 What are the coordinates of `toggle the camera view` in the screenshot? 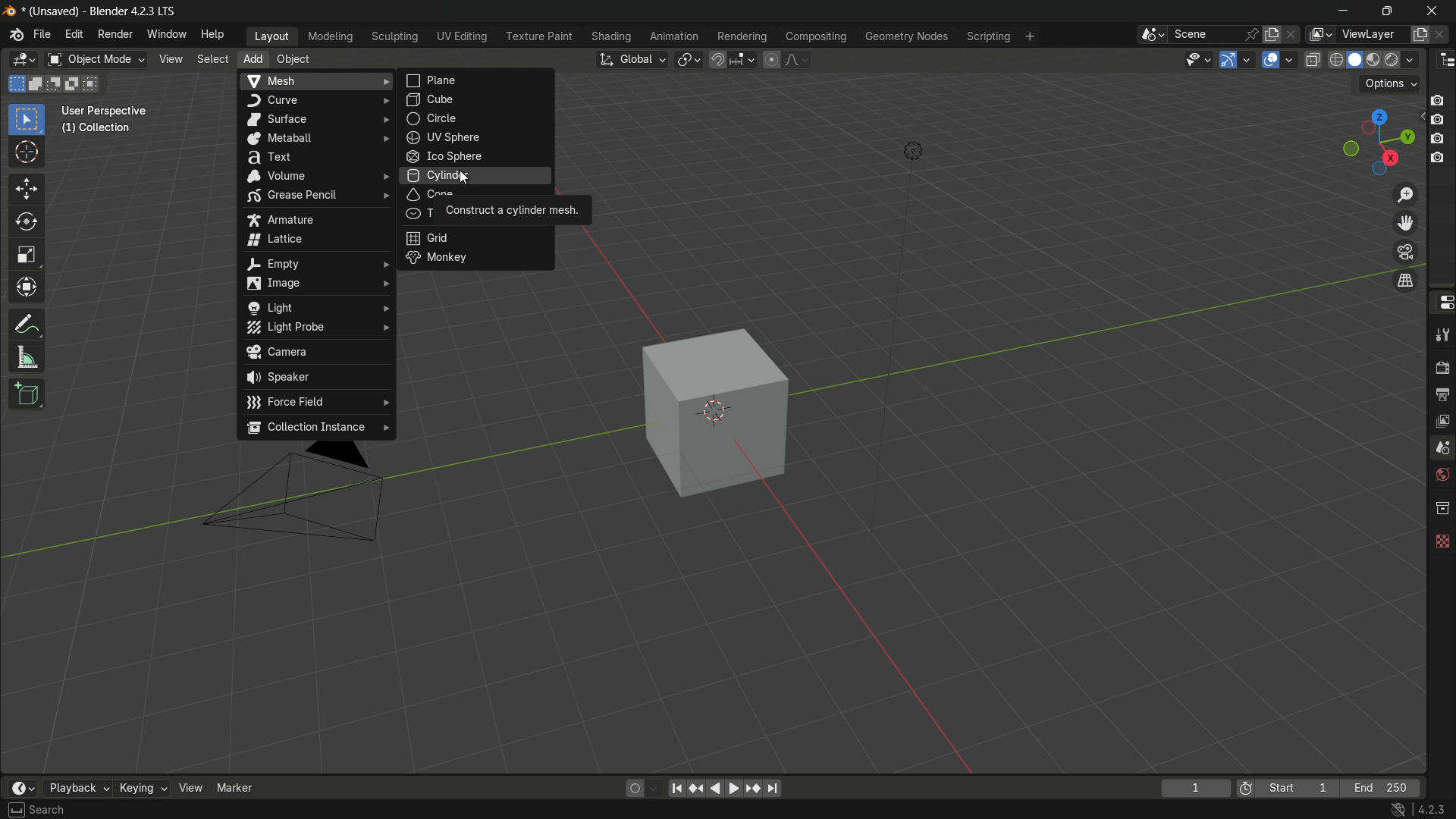 It's located at (1405, 252).